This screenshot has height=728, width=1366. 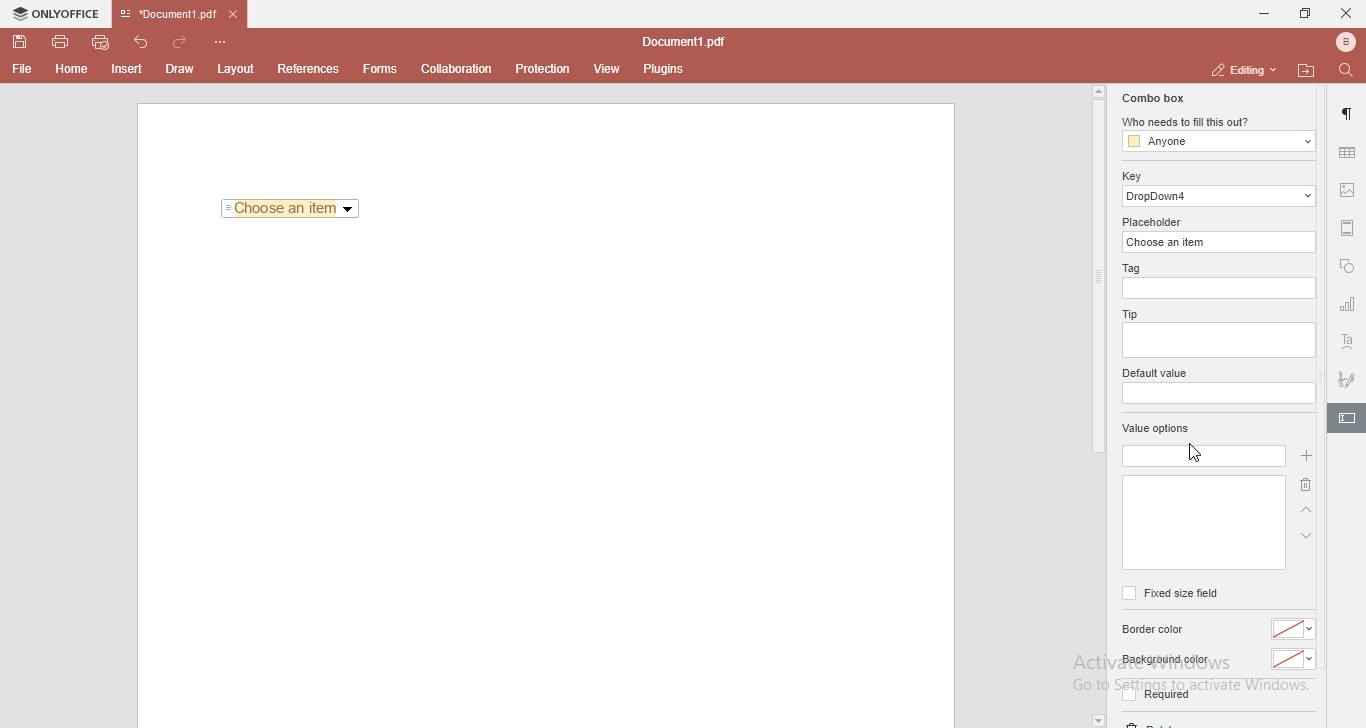 What do you see at coordinates (1169, 593) in the screenshot?
I see `fixed size field` at bounding box center [1169, 593].